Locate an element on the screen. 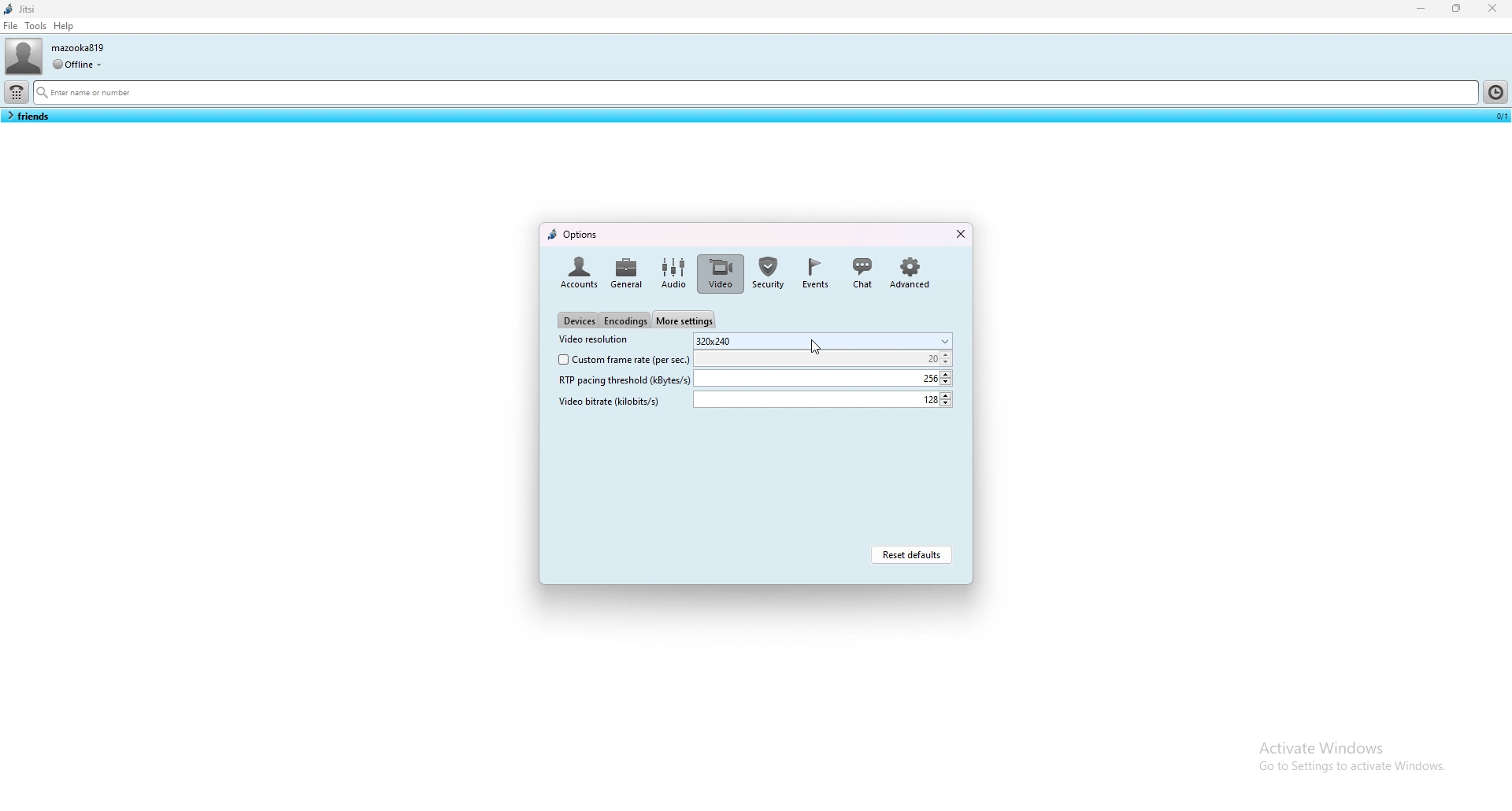 Image resolution: width=1512 pixels, height=811 pixels. close is located at coordinates (957, 232).